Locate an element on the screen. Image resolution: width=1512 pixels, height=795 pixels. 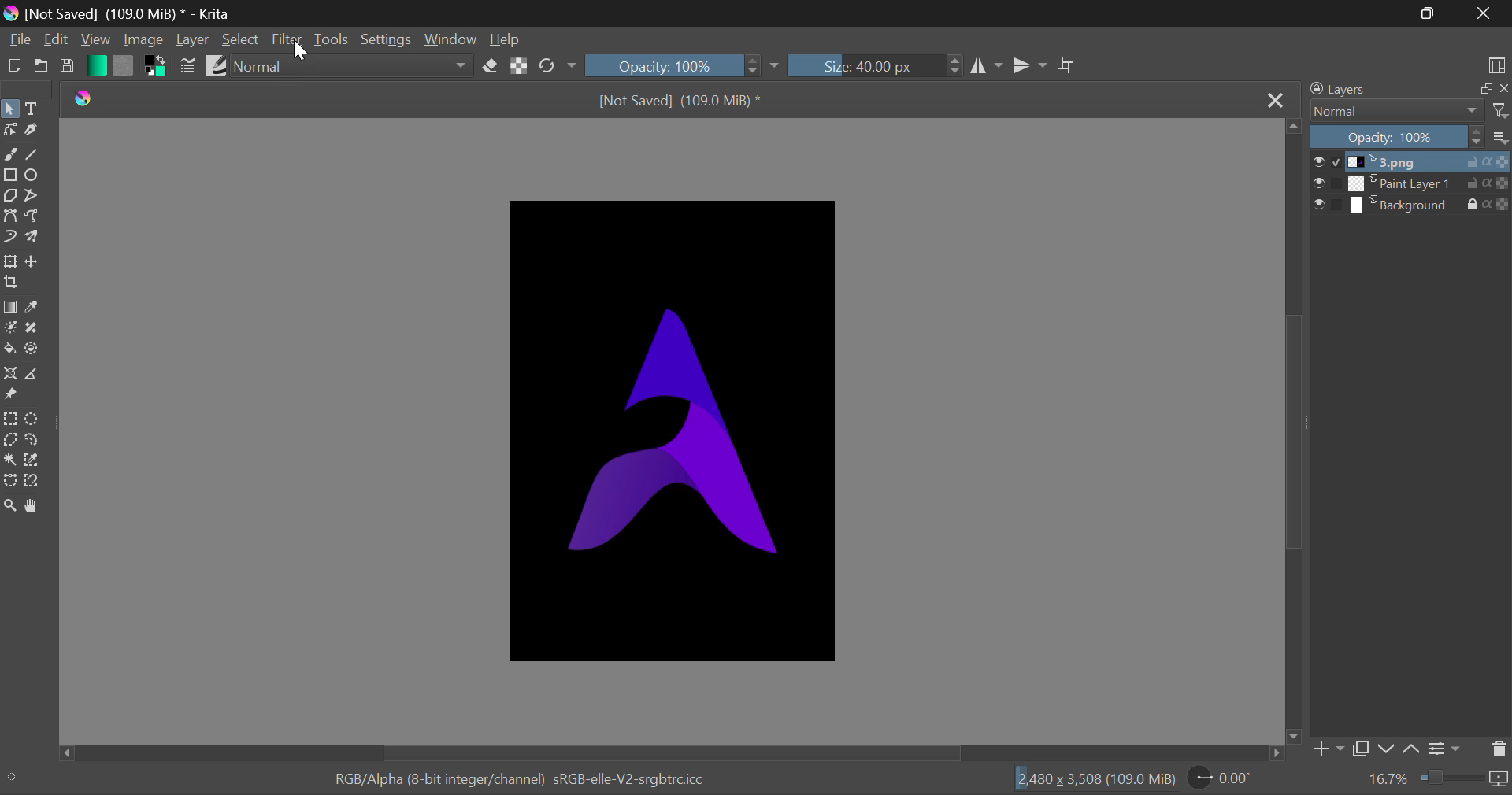
Eraser is located at coordinates (491, 65).